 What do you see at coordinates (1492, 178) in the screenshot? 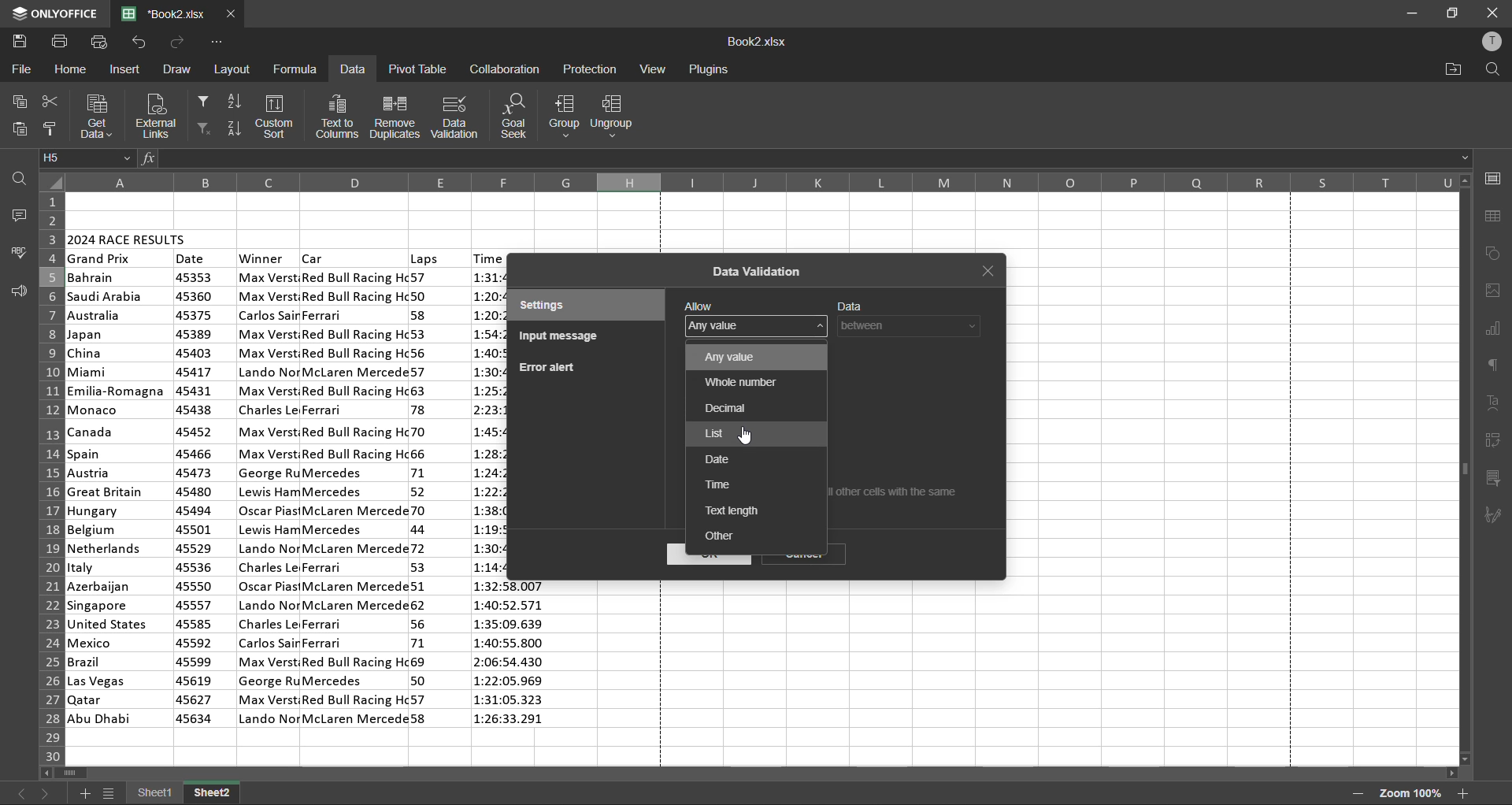
I see `cell settings` at bounding box center [1492, 178].